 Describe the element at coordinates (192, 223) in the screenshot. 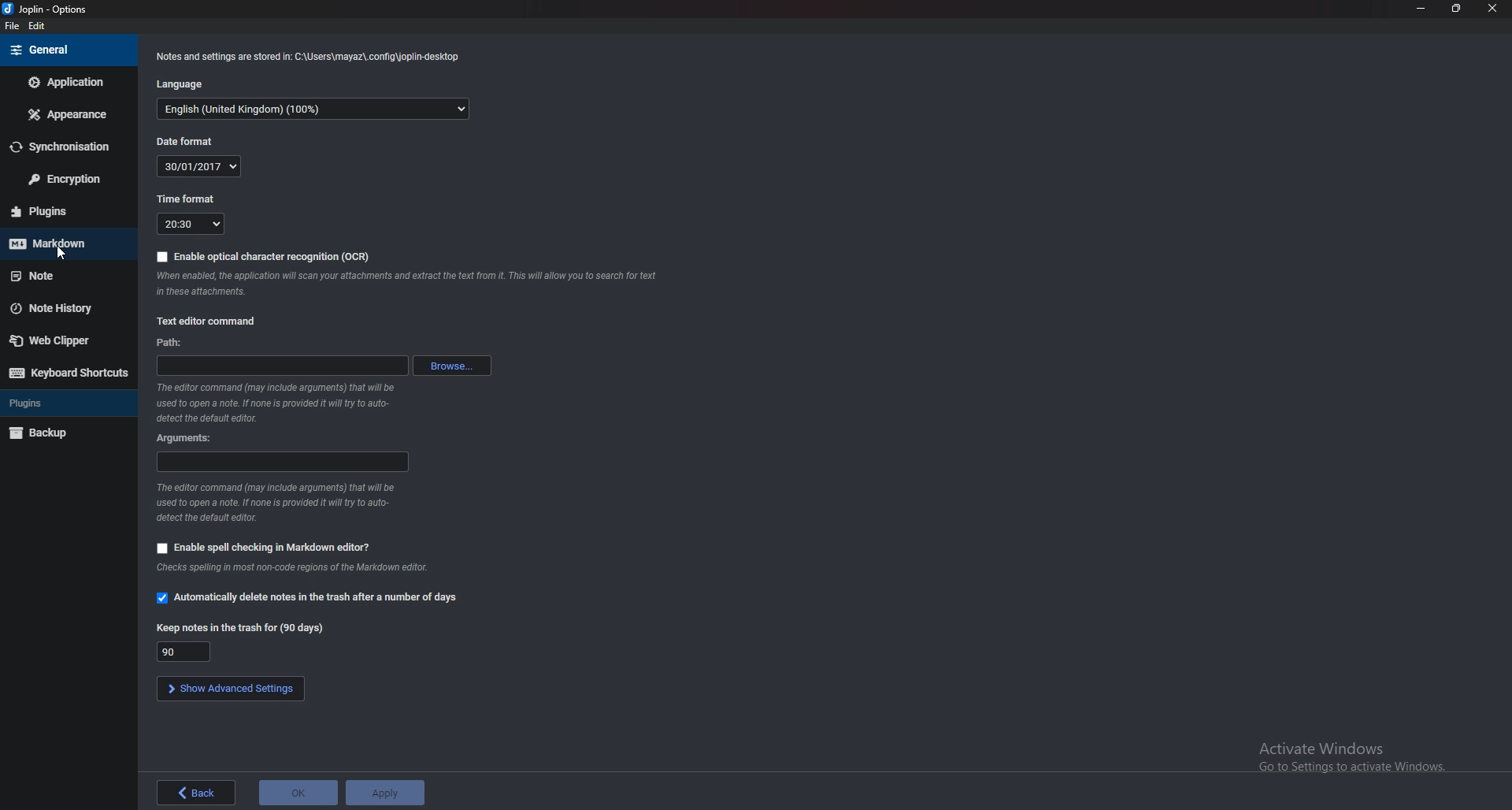

I see `Time format` at that location.